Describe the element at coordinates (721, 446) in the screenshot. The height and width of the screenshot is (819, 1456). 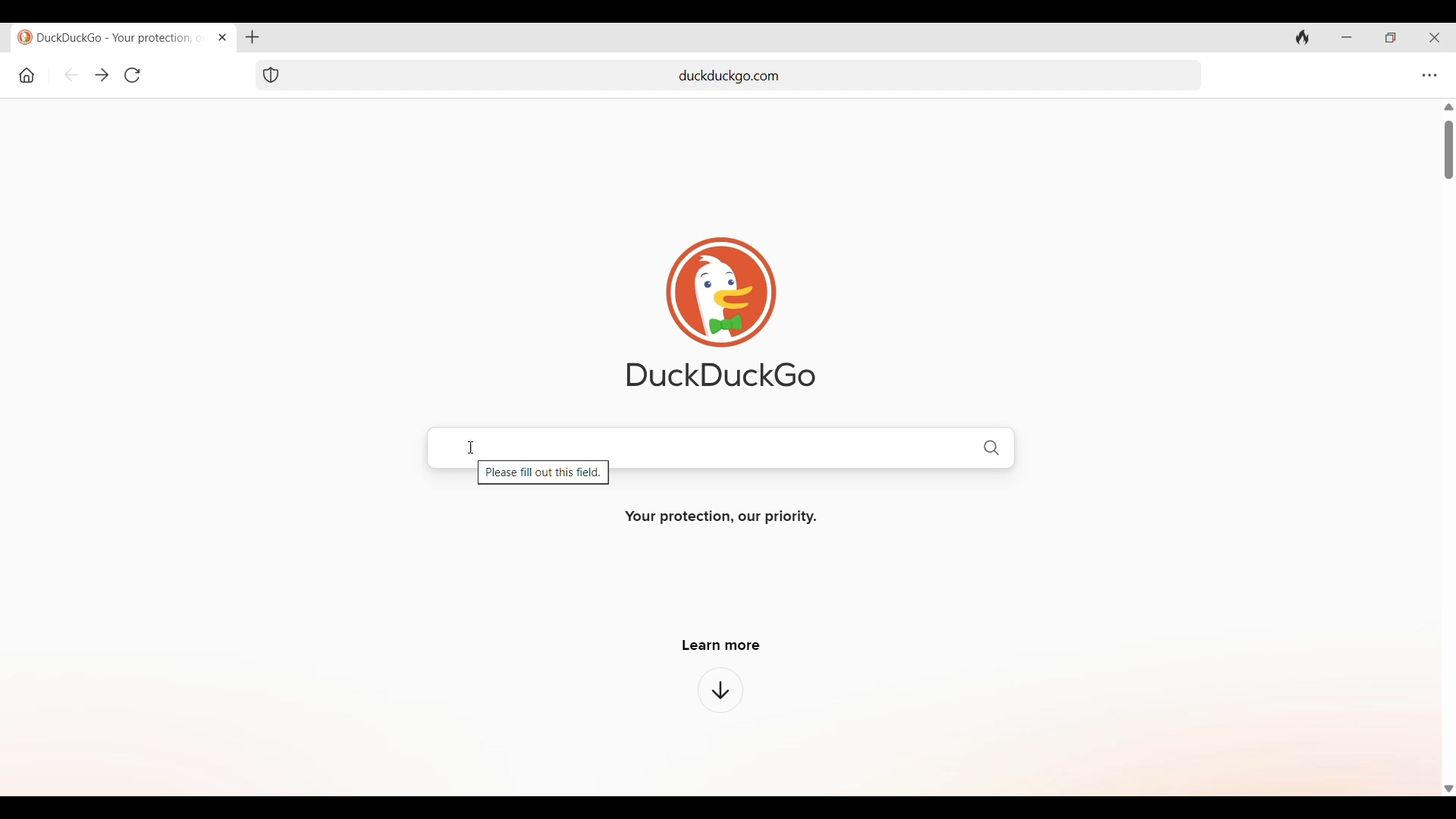
I see `Type in search query` at that location.